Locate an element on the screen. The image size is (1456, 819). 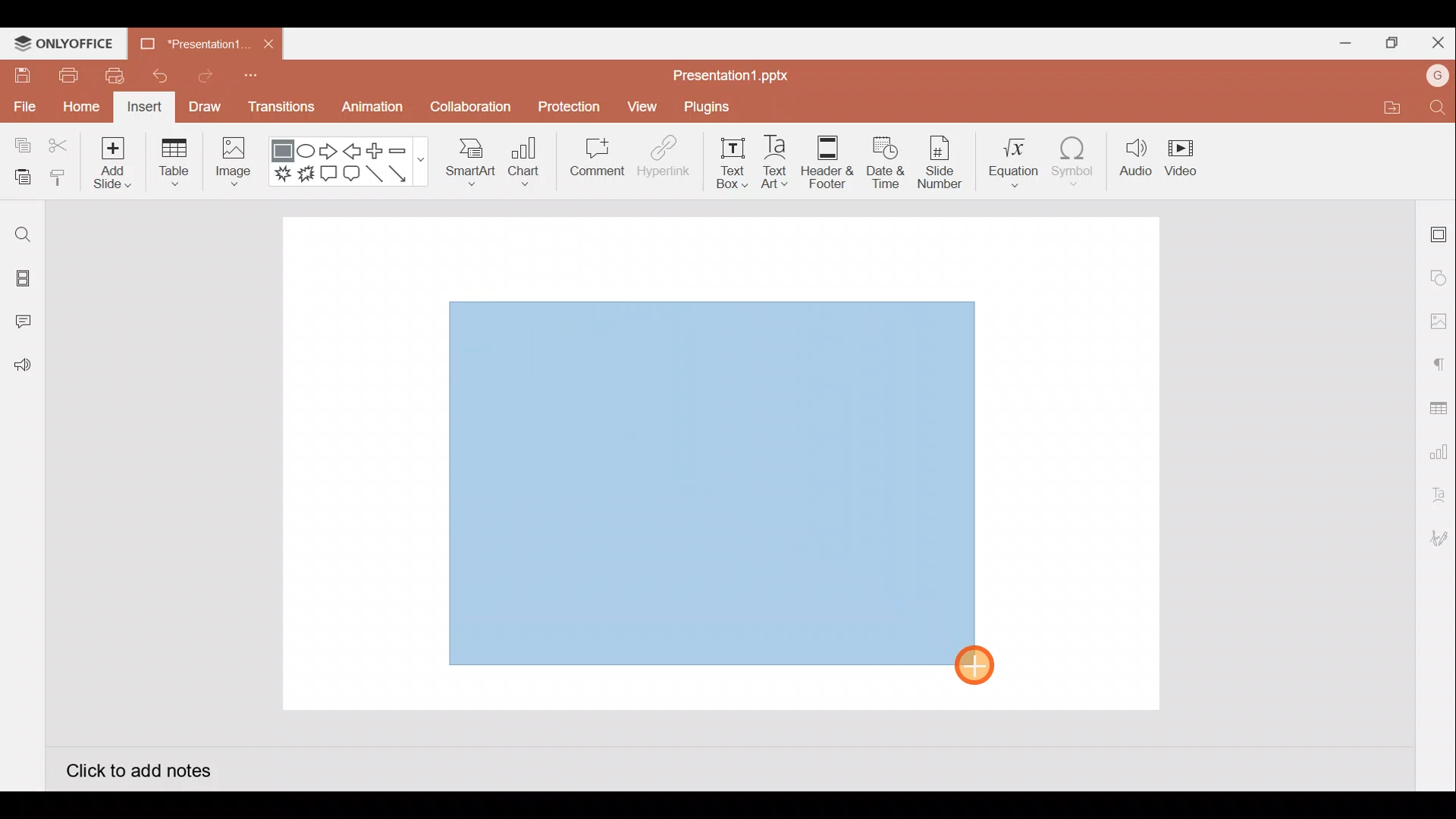
Cursor on rectangle shape is located at coordinates (983, 664).